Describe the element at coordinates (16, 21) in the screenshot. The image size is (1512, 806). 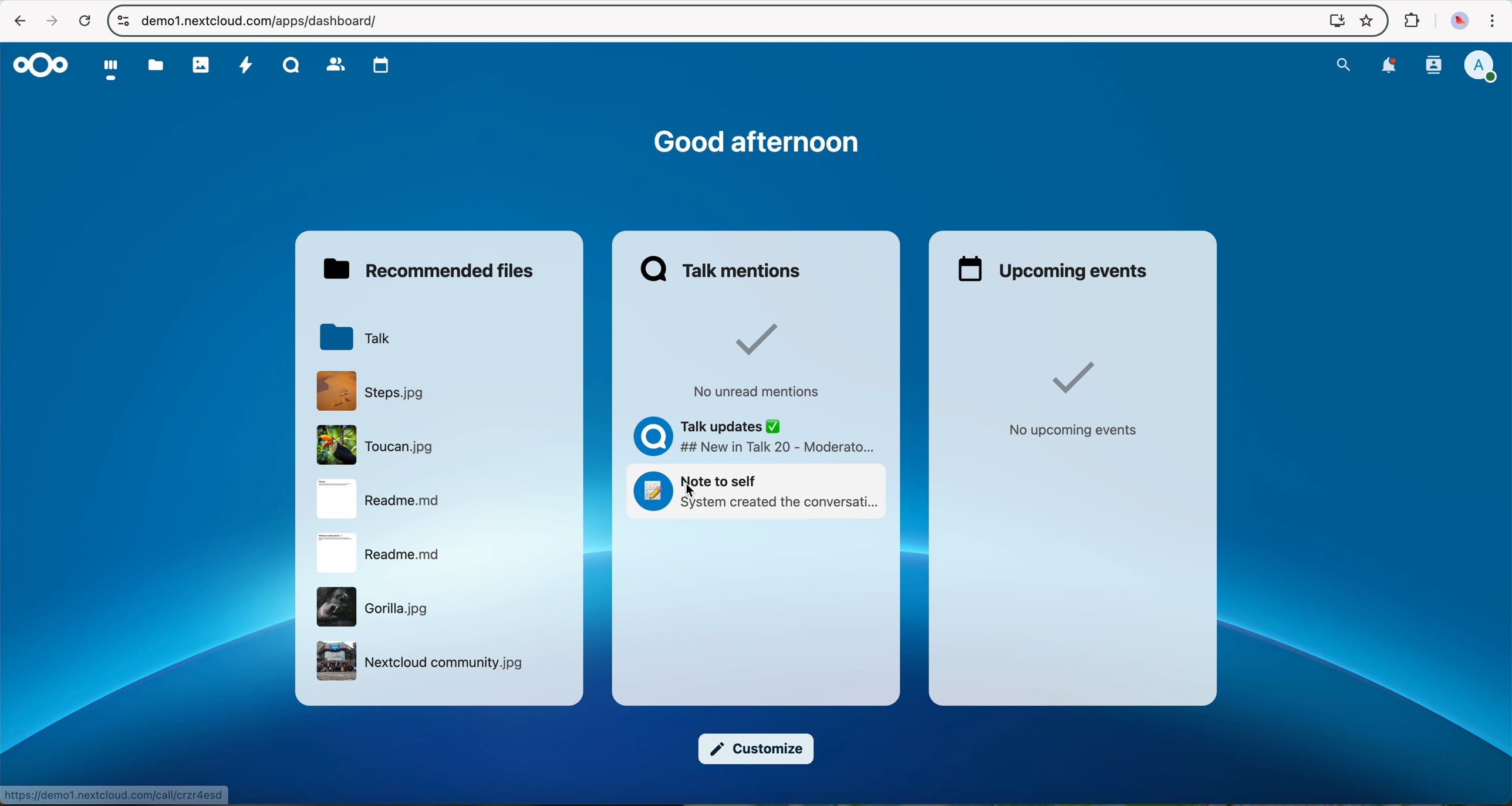
I see `navigate back` at that location.